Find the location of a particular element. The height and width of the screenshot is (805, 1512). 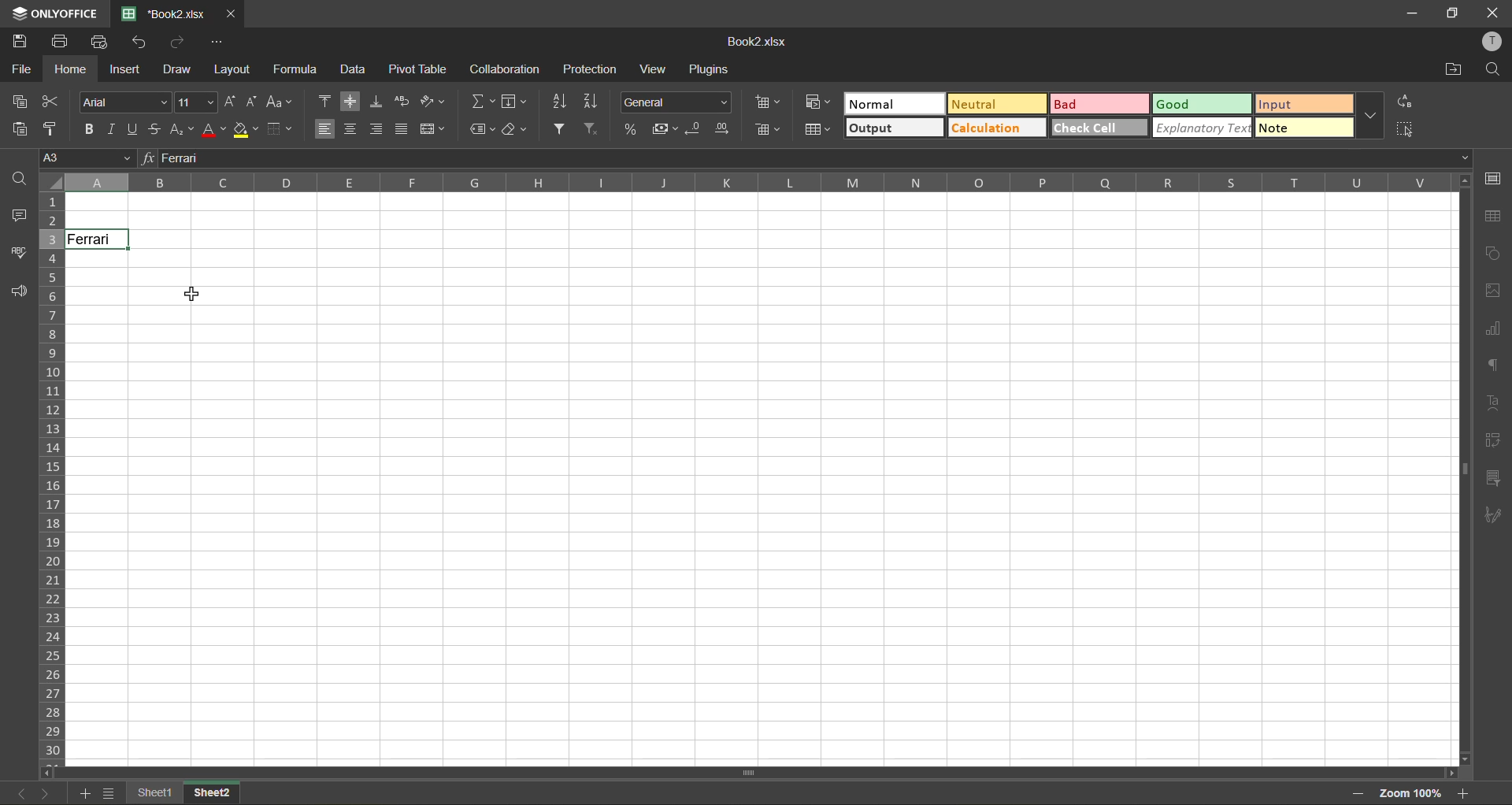

ONLYOFFICE is located at coordinates (52, 11).